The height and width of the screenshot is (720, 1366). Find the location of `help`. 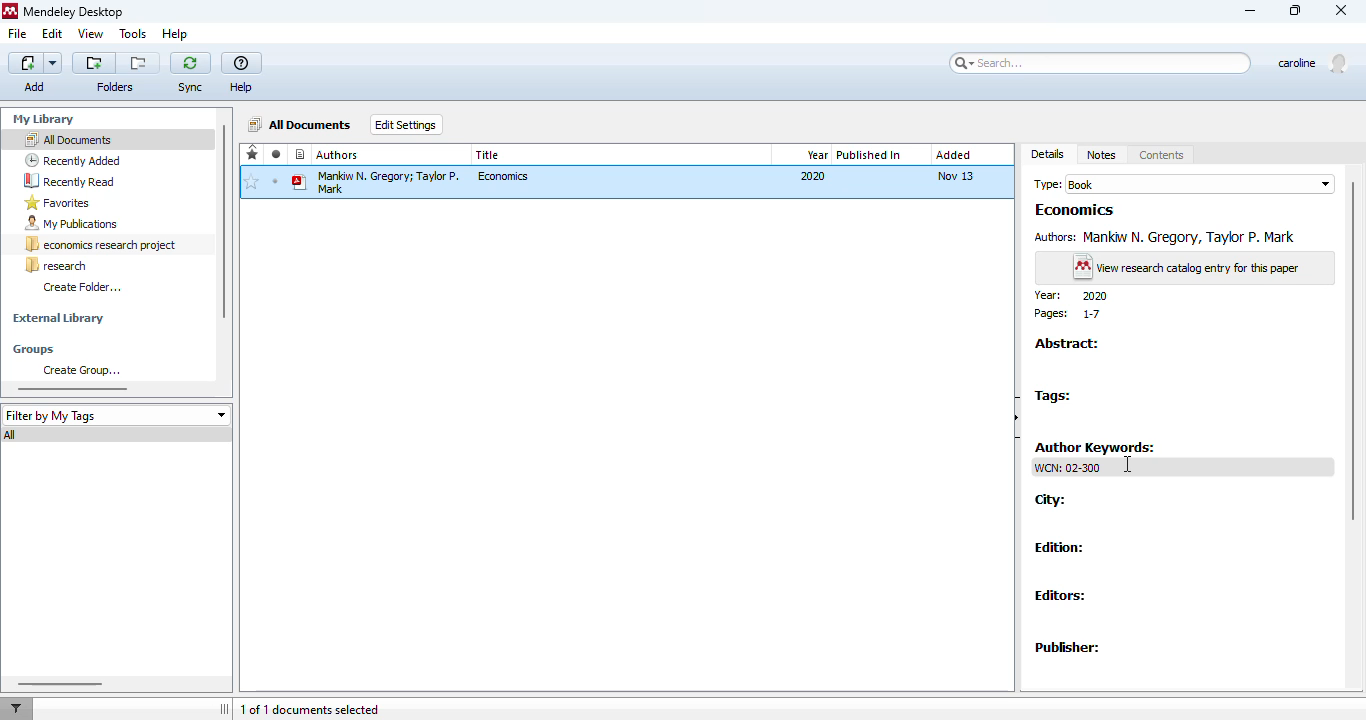

help is located at coordinates (175, 35).